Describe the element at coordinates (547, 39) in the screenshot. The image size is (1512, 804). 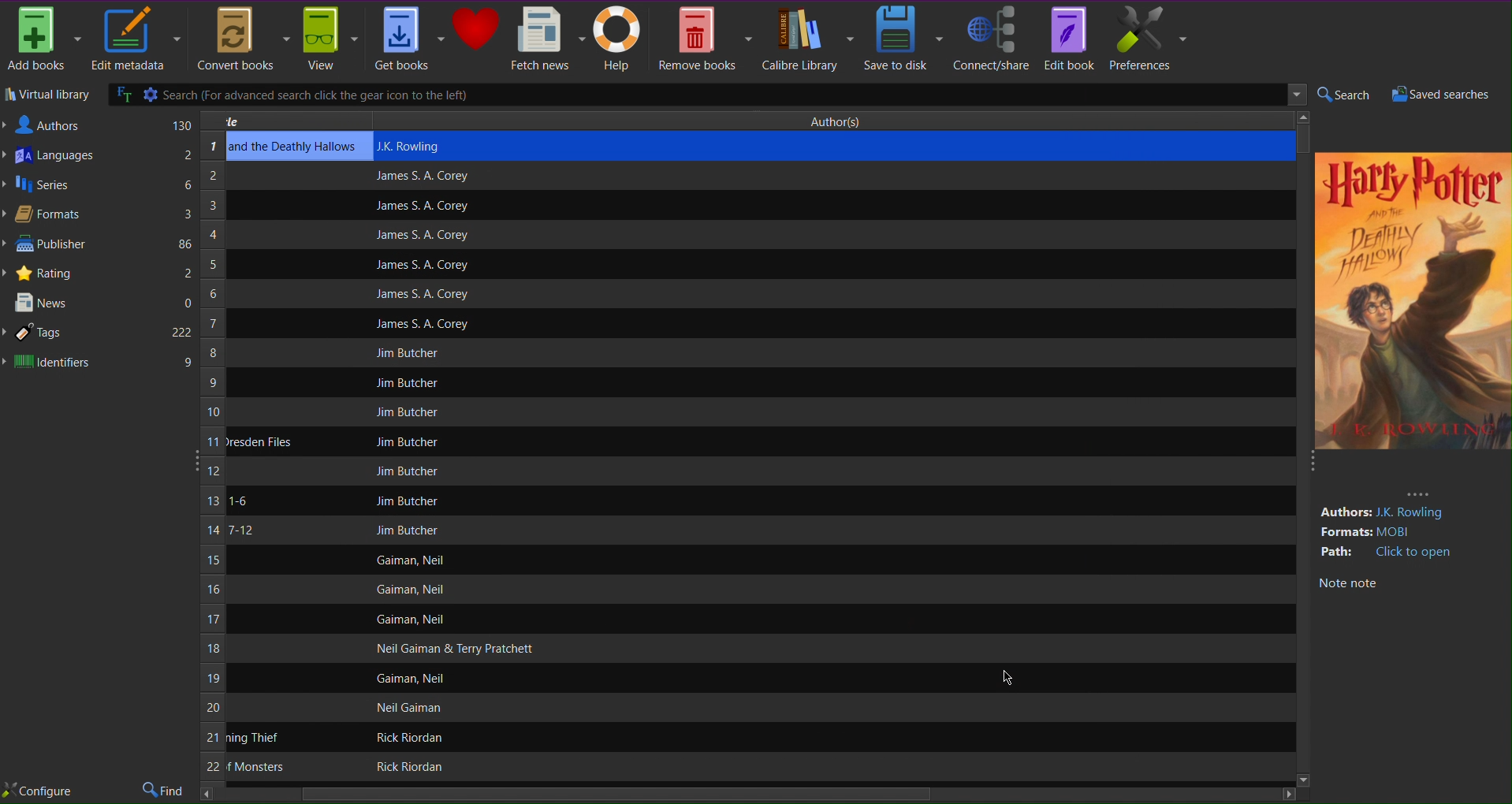
I see `Fetch News` at that location.